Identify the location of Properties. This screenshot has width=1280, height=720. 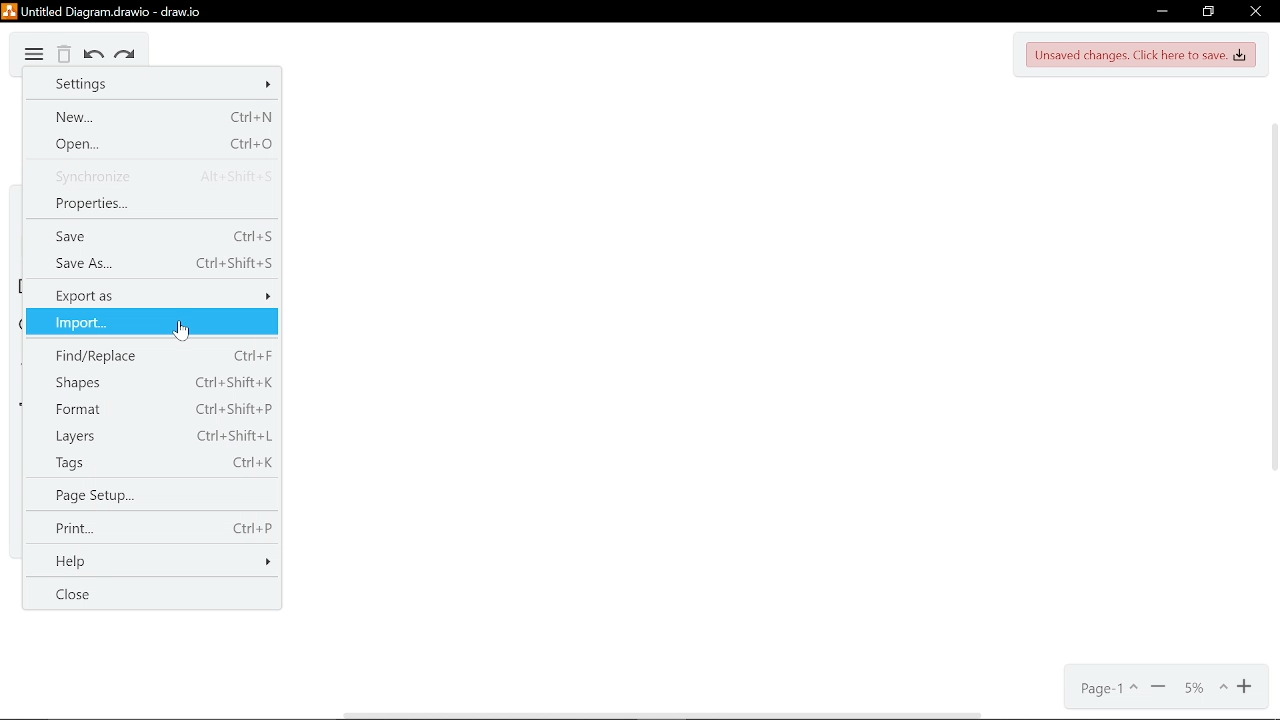
(151, 205).